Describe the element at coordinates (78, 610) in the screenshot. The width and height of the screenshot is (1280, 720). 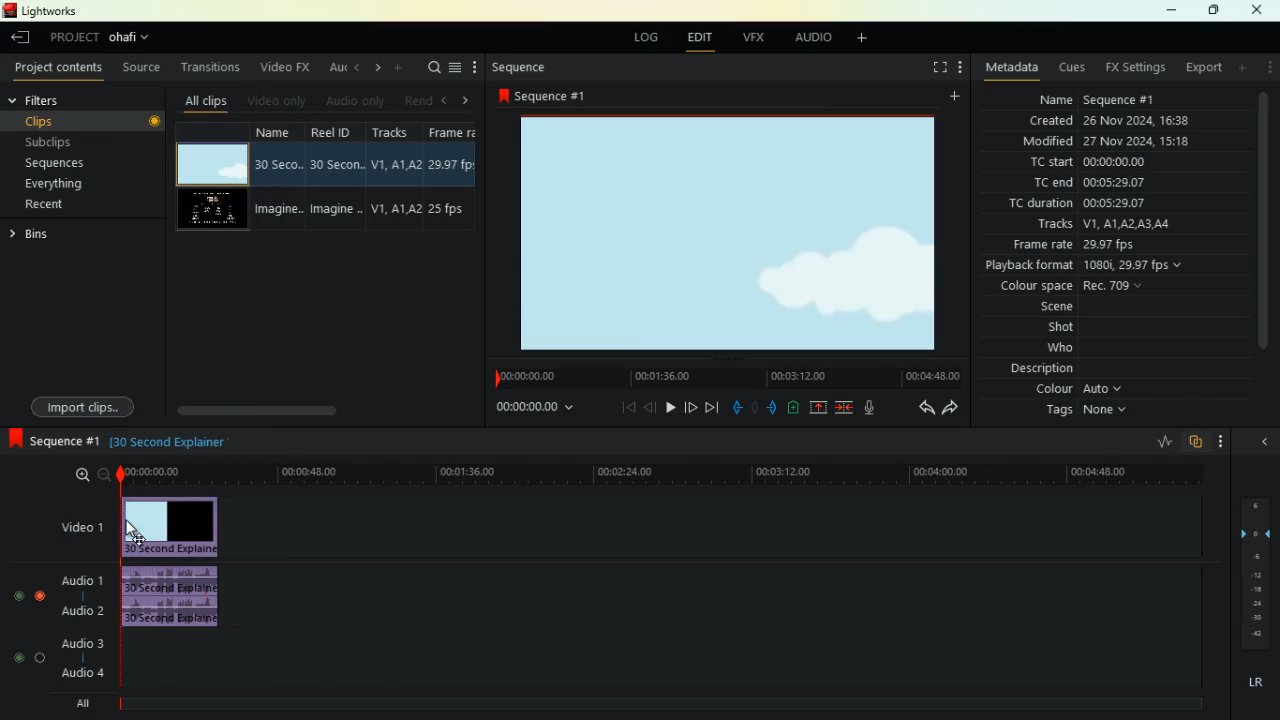
I see `audio2` at that location.